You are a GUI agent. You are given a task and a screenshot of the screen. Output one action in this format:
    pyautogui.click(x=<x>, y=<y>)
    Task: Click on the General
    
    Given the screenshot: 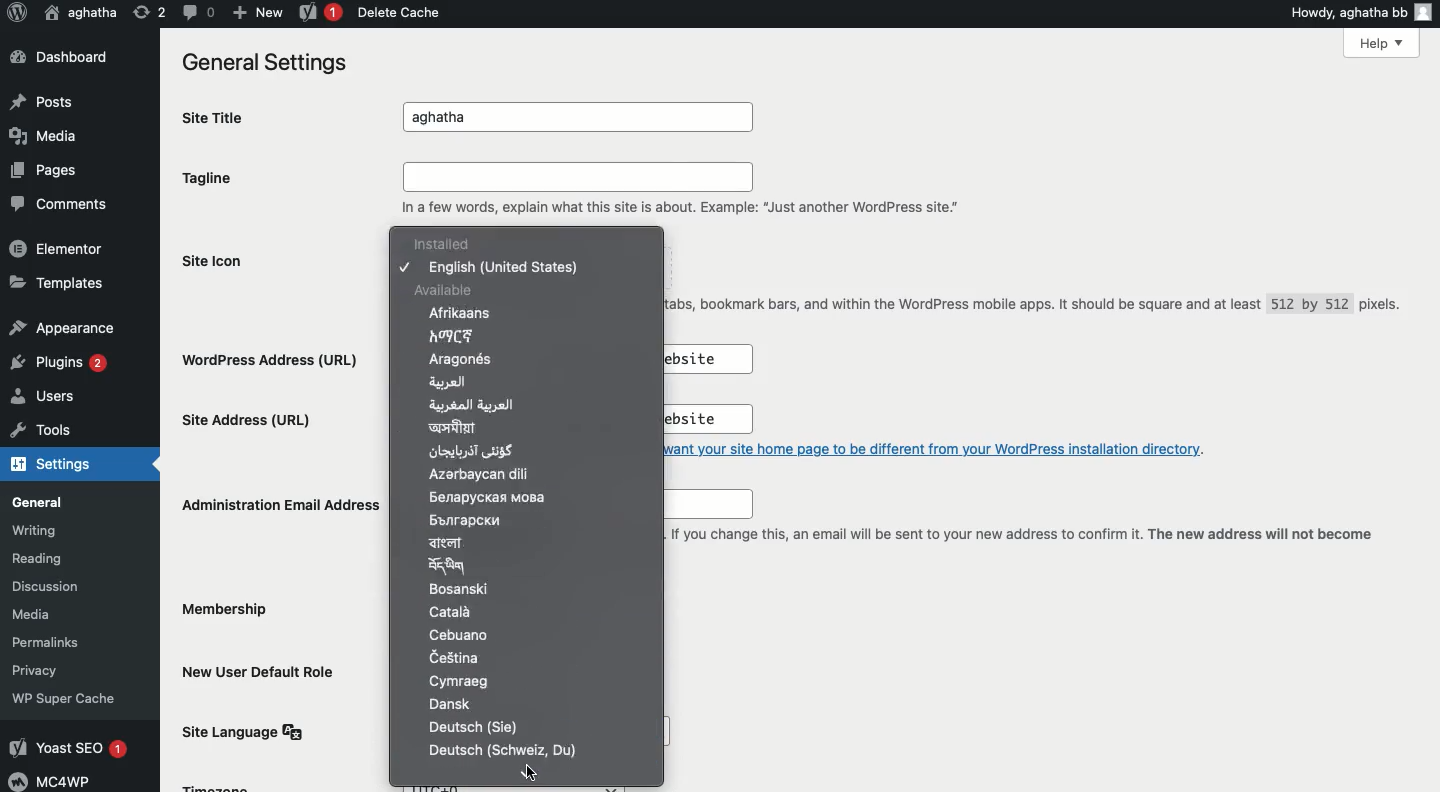 What is the action you would take?
    pyautogui.click(x=48, y=501)
    